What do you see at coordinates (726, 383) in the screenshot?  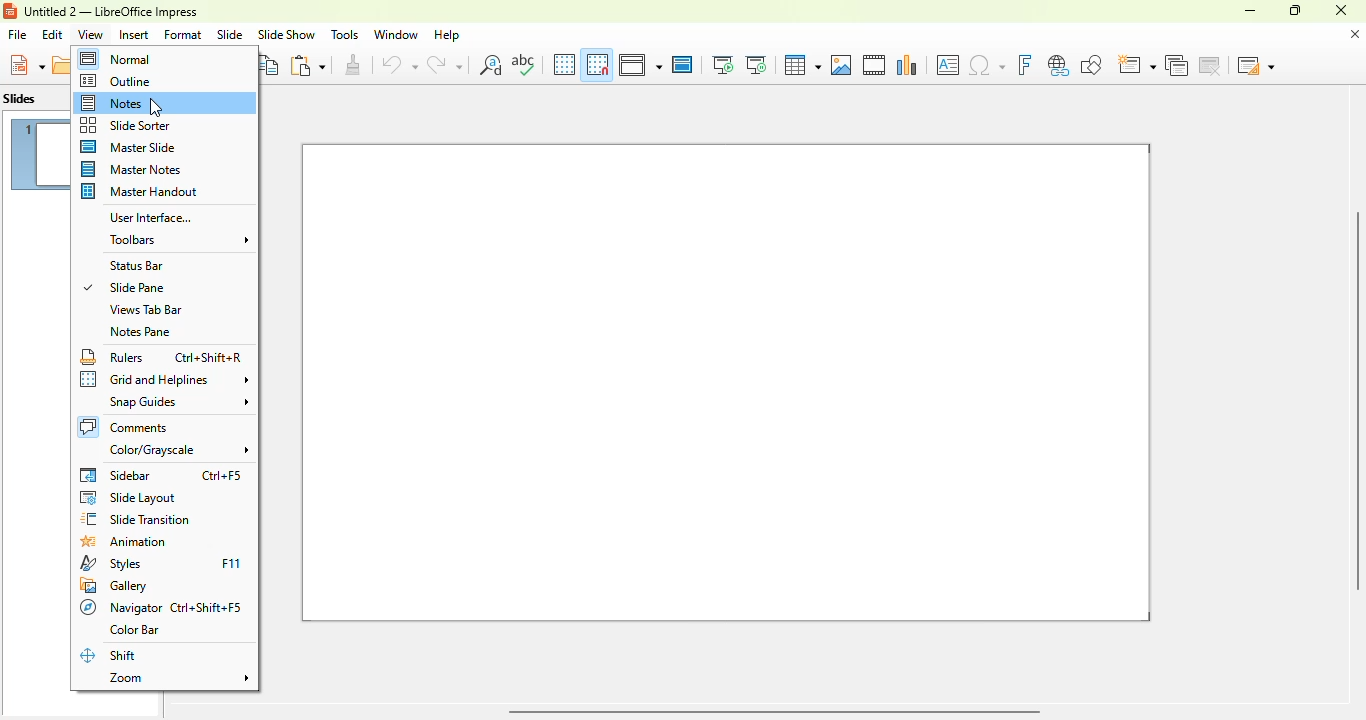 I see `slide 1` at bounding box center [726, 383].